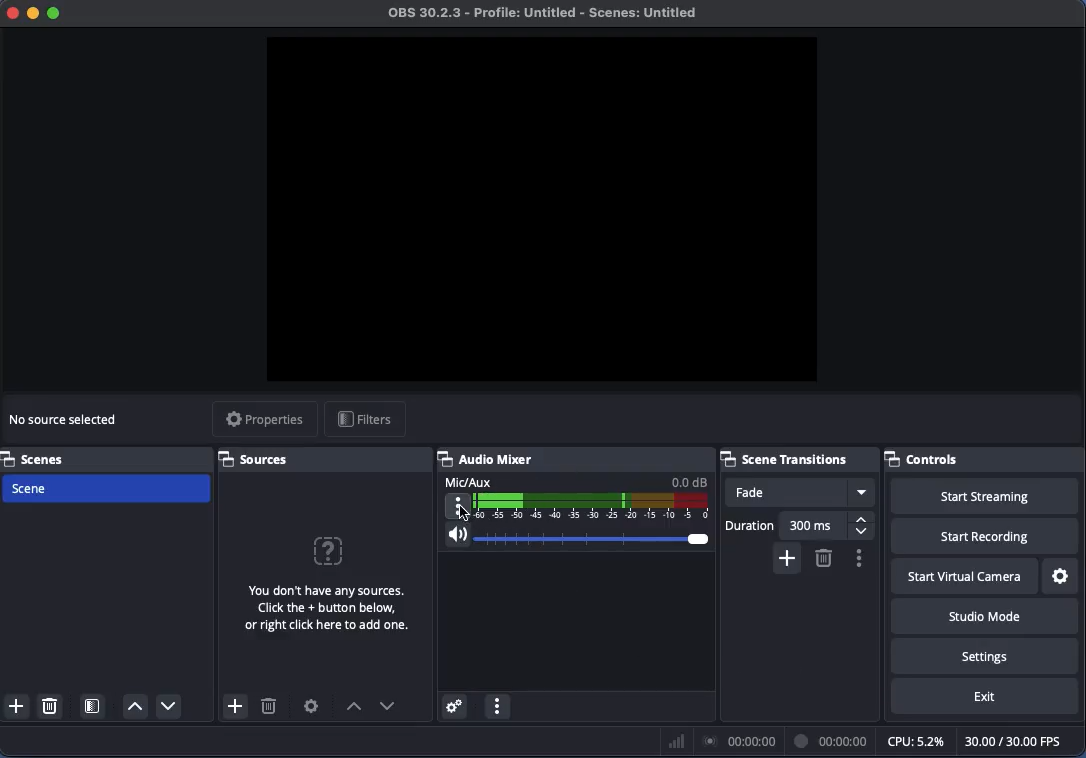 Image resolution: width=1086 pixels, height=758 pixels. What do you see at coordinates (458, 507) in the screenshot?
I see `More` at bounding box center [458, 507].